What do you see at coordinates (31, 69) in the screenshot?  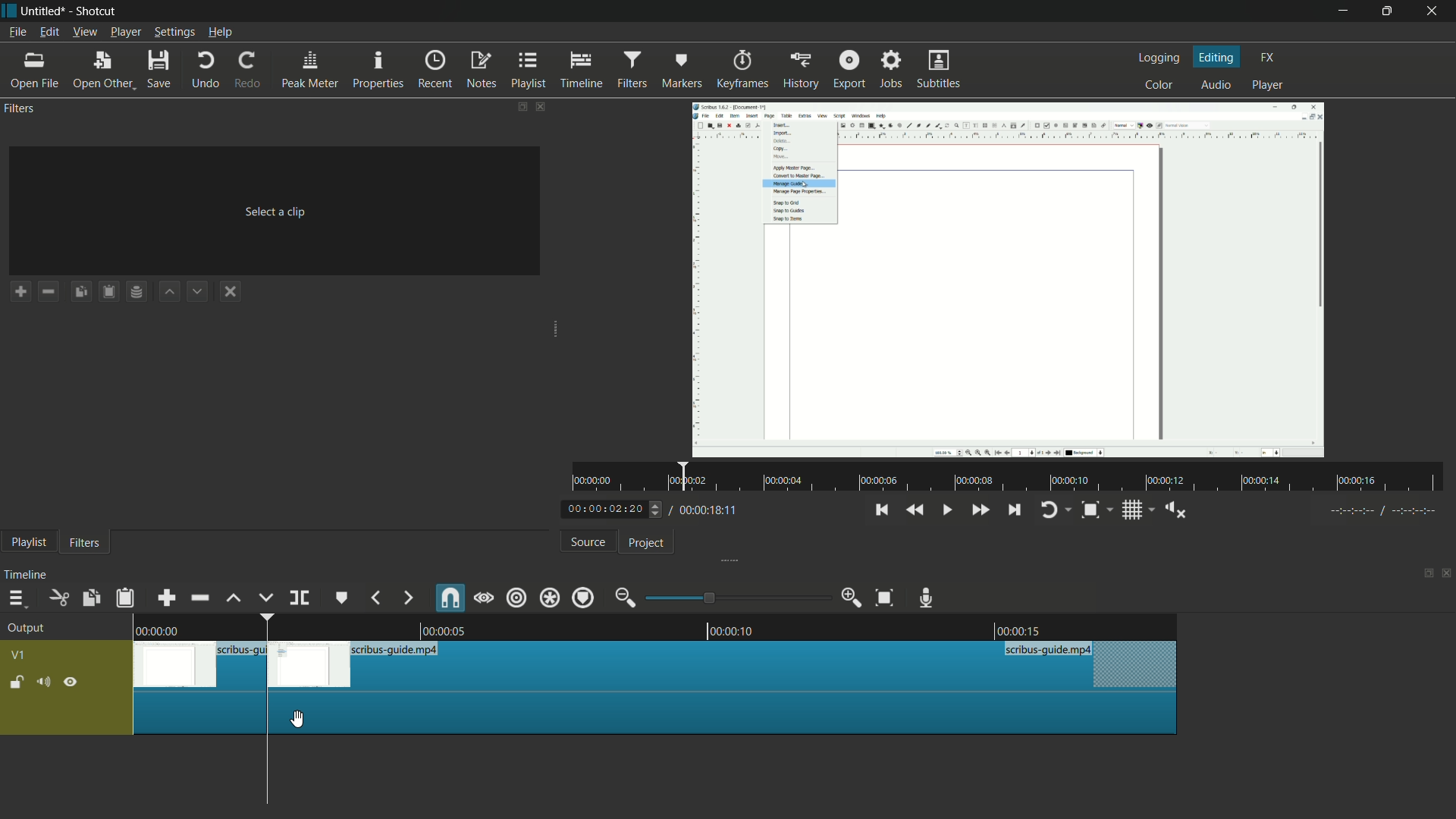 I see `open file` at bounding box center [31, 69].